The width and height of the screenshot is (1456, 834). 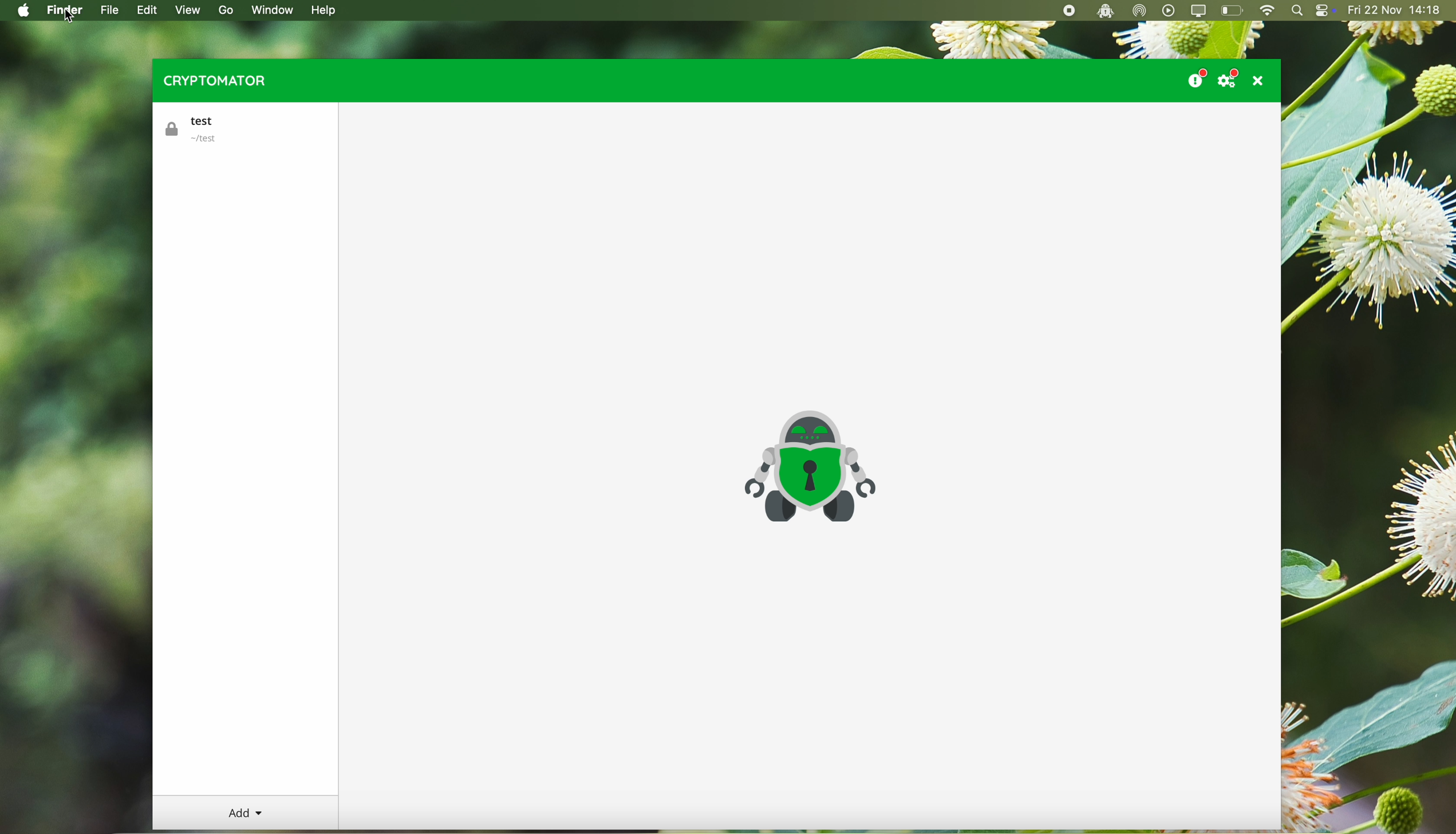 What do you see at coordinates (66, 11) in the screenshot?
I see `Finder` at bounding box center [66, 11].